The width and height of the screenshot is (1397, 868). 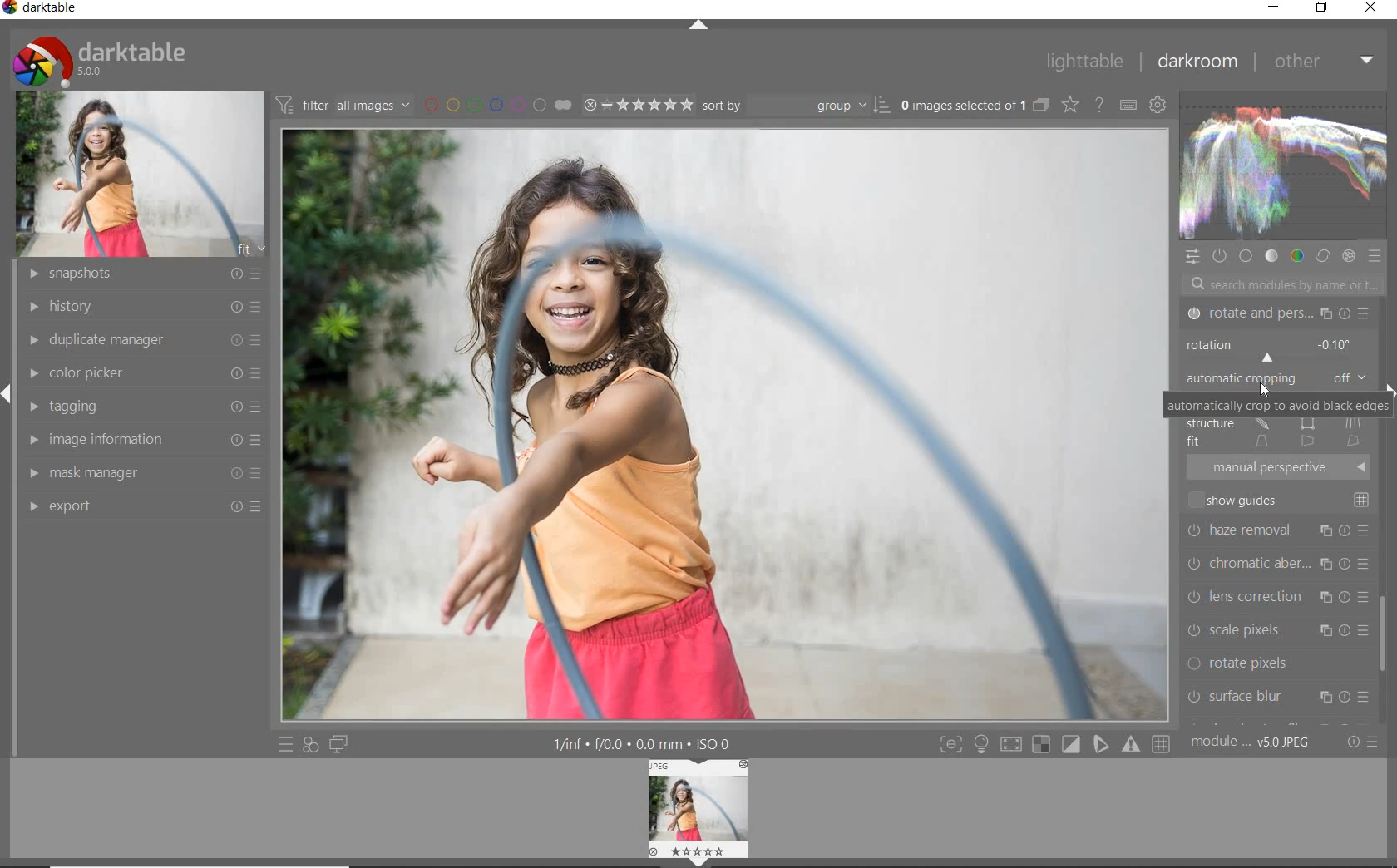 What do you see at coordinates (1274, 423) in the screenshot?
I see `STRUCTURE` at bounding box center [1274, 423].